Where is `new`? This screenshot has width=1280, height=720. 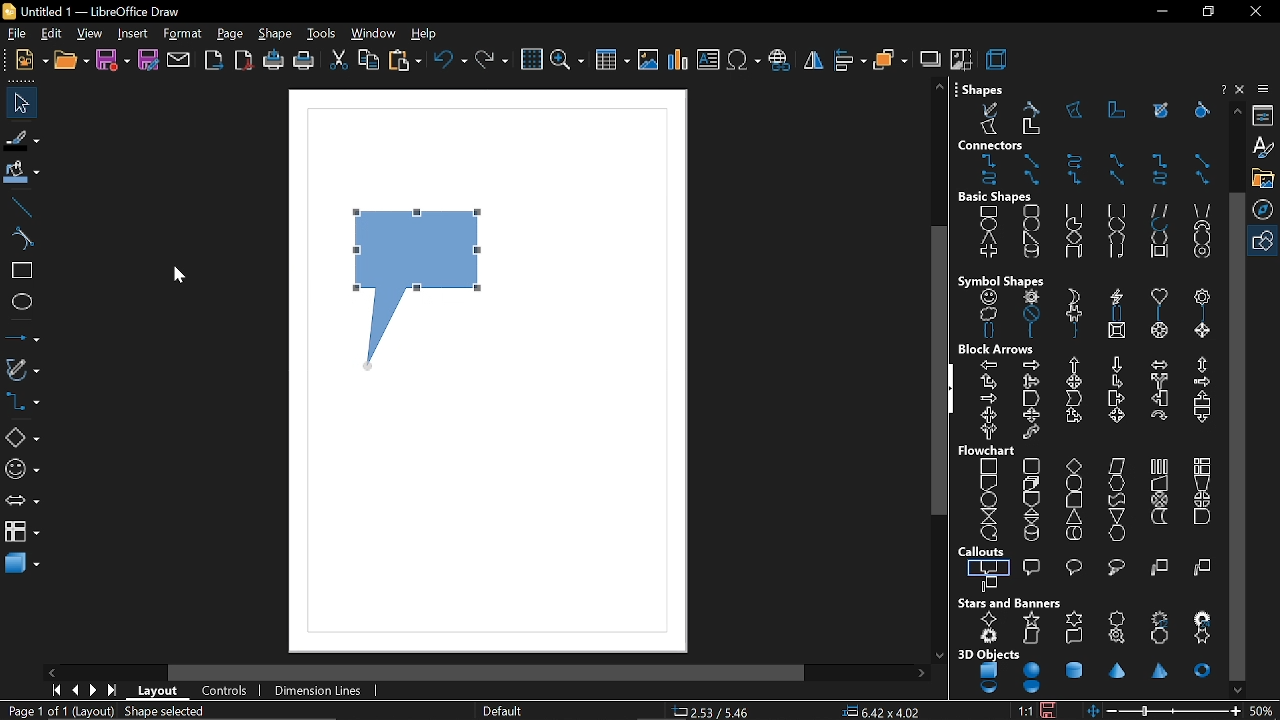
new is located at coordinates (31, 62).